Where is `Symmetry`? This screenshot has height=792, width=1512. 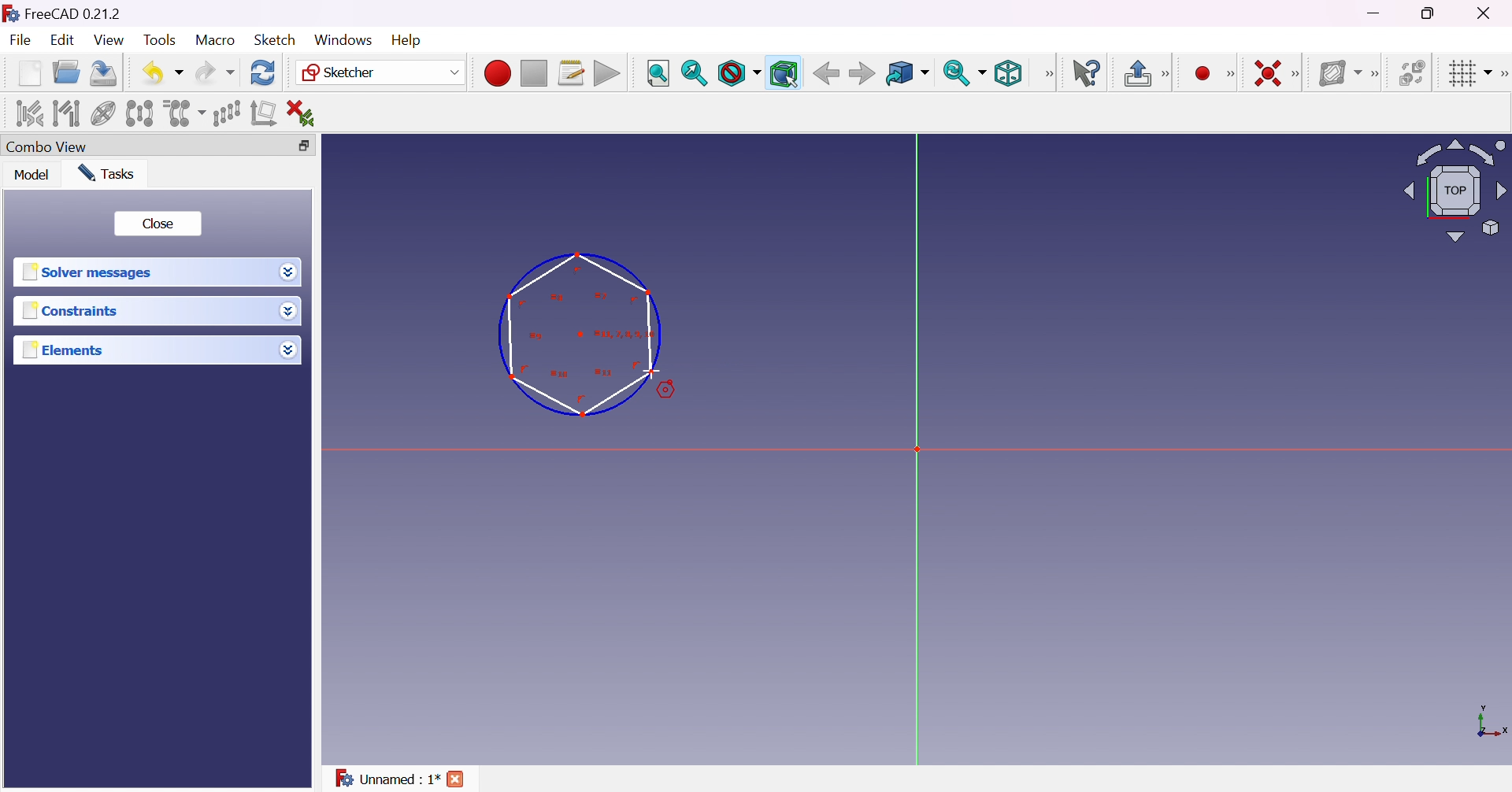
Symmetry is located at coordinates (140, 113).